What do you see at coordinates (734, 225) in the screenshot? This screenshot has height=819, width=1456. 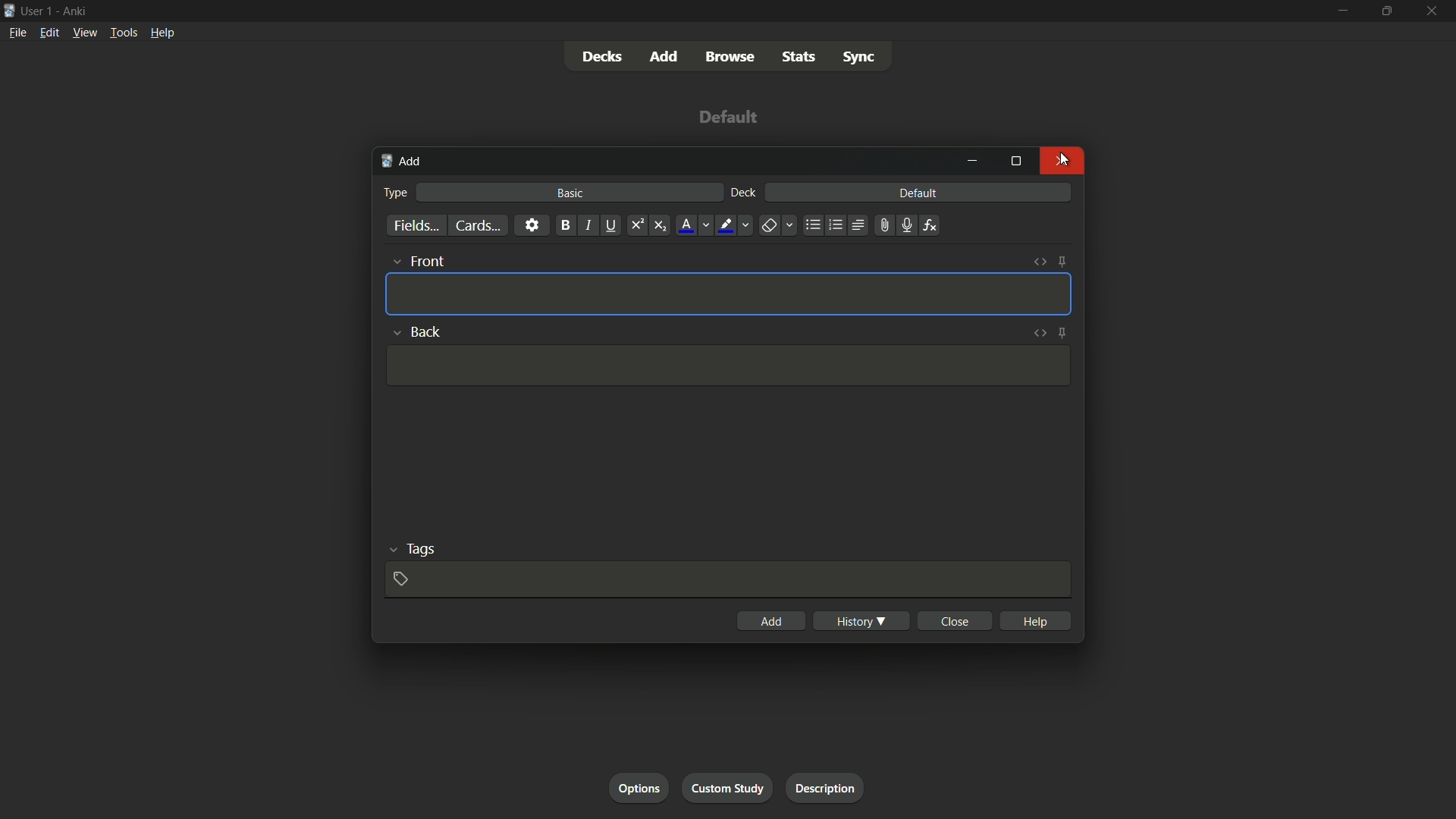 I see `text highlight` at bounding box center [734, 225].